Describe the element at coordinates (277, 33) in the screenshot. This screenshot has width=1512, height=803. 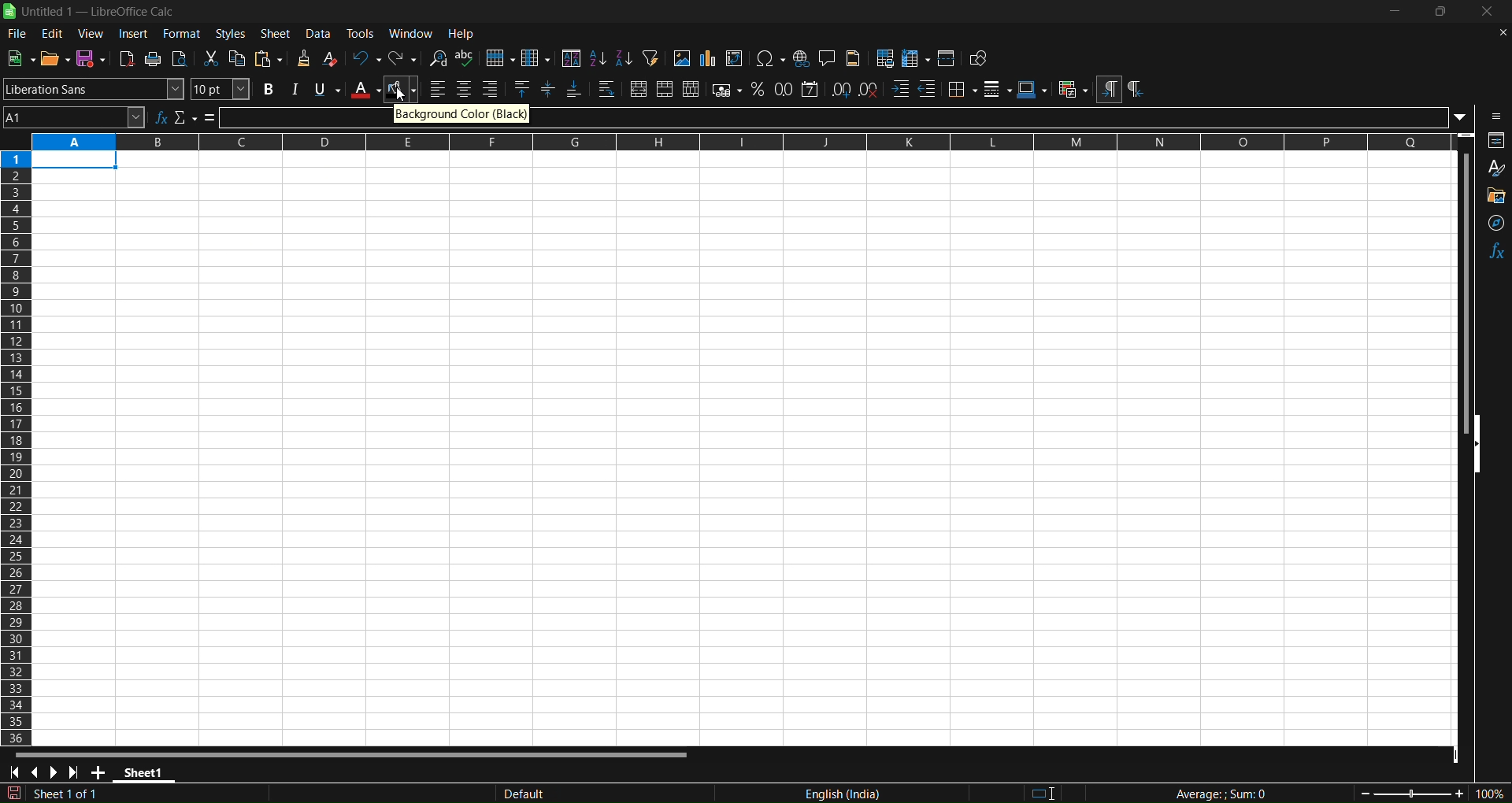
I see `sheet` at that location.